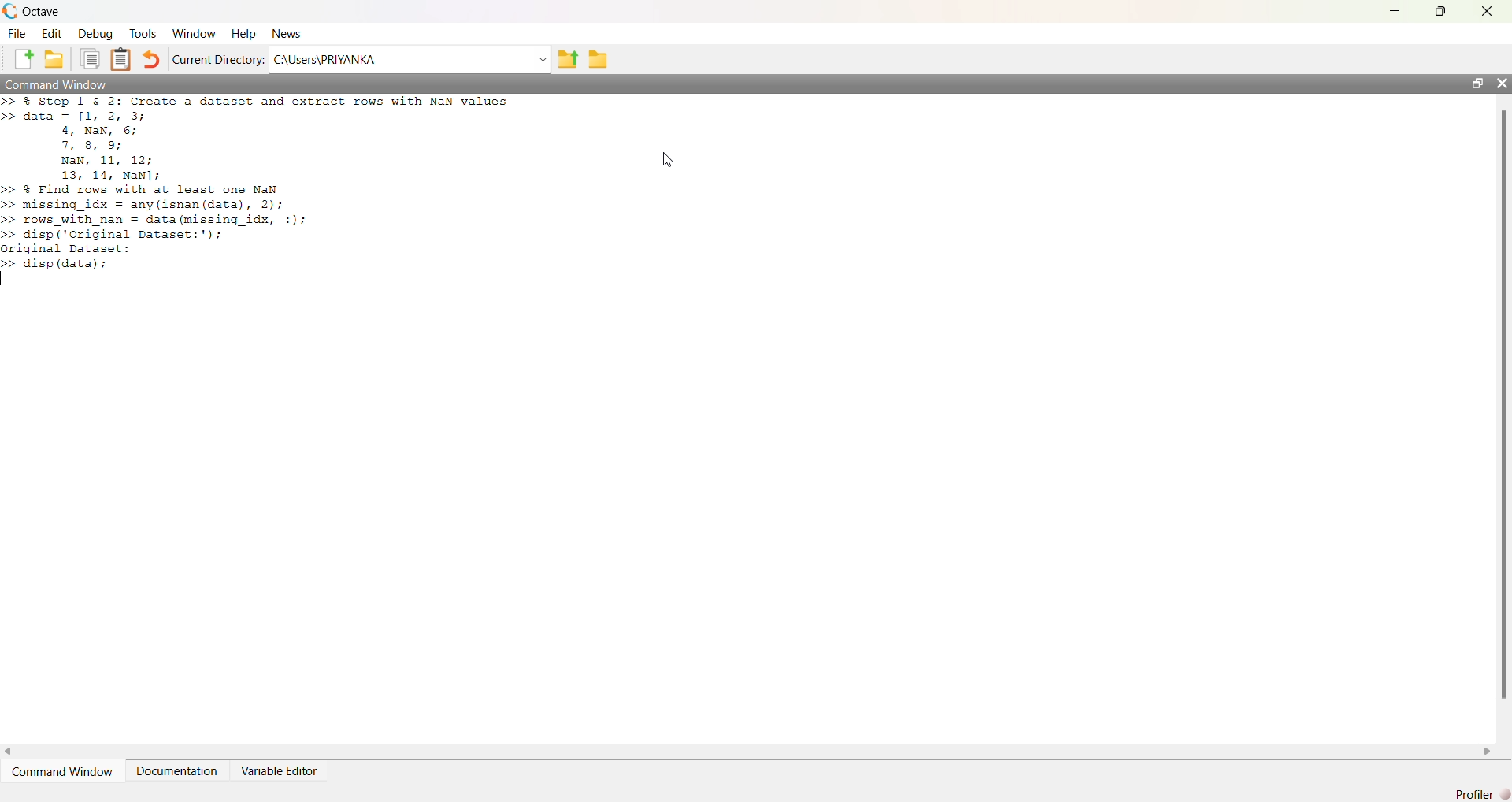 The image size is (1512, 802). What do you see at coordinates (541, 60) in the screenshot?
I see `dropdown` at bounding box center [541, 60].